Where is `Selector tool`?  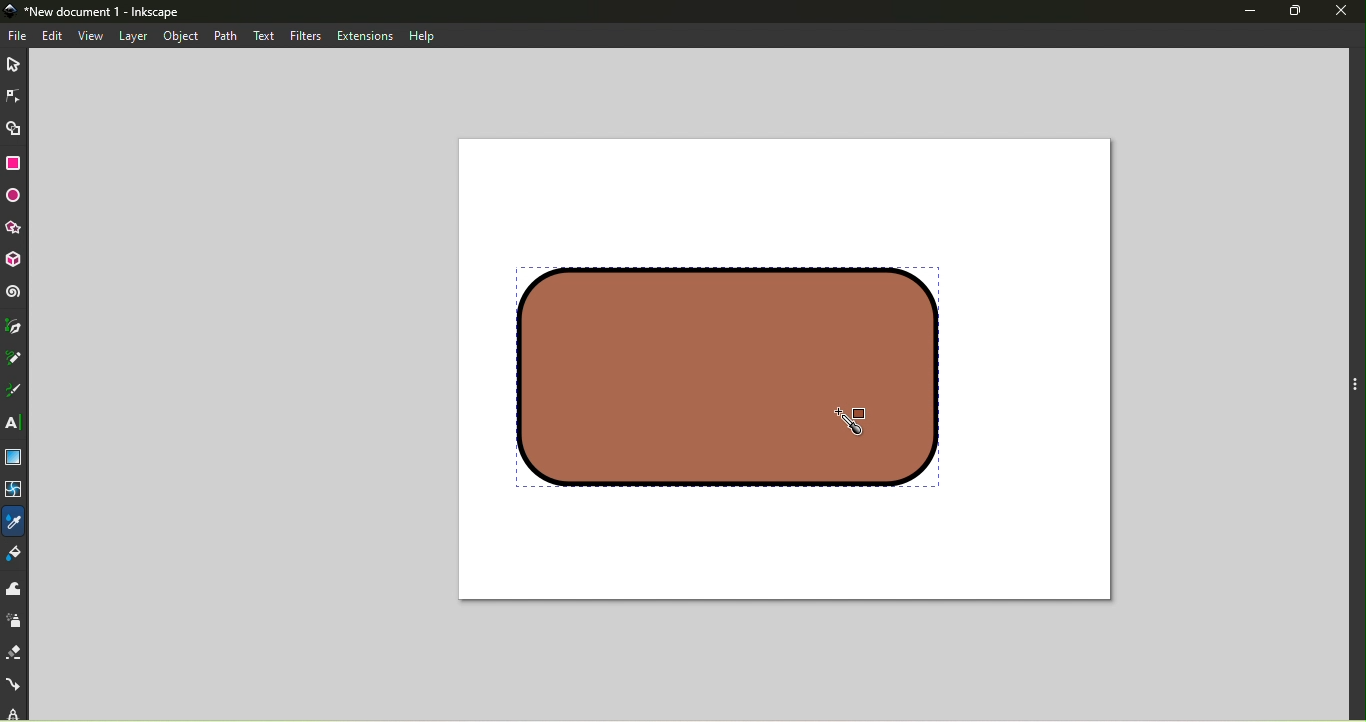
Selector tool is located at coordinates (16, 62).